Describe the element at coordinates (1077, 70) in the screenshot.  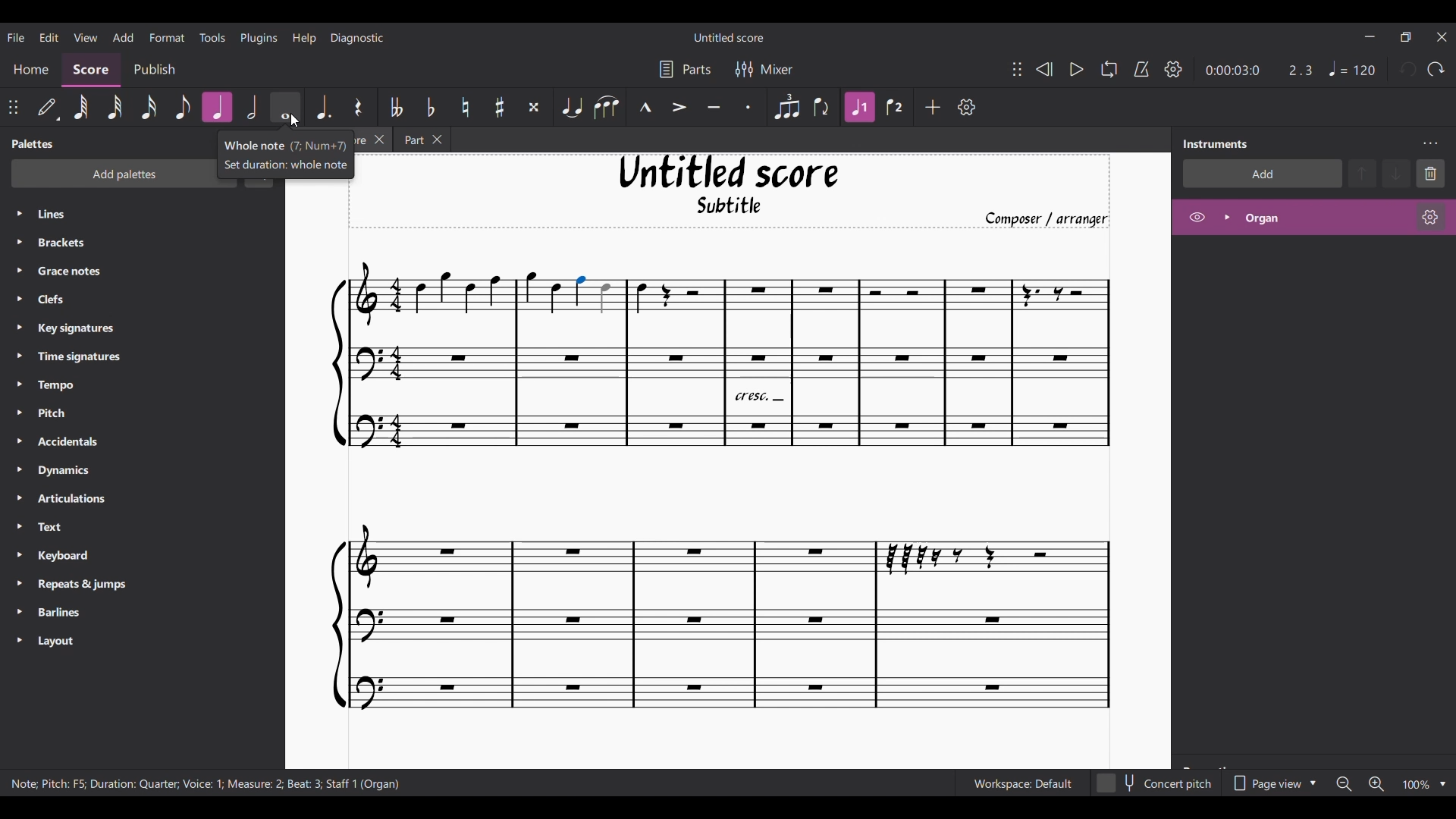
I see `Play` at that location.